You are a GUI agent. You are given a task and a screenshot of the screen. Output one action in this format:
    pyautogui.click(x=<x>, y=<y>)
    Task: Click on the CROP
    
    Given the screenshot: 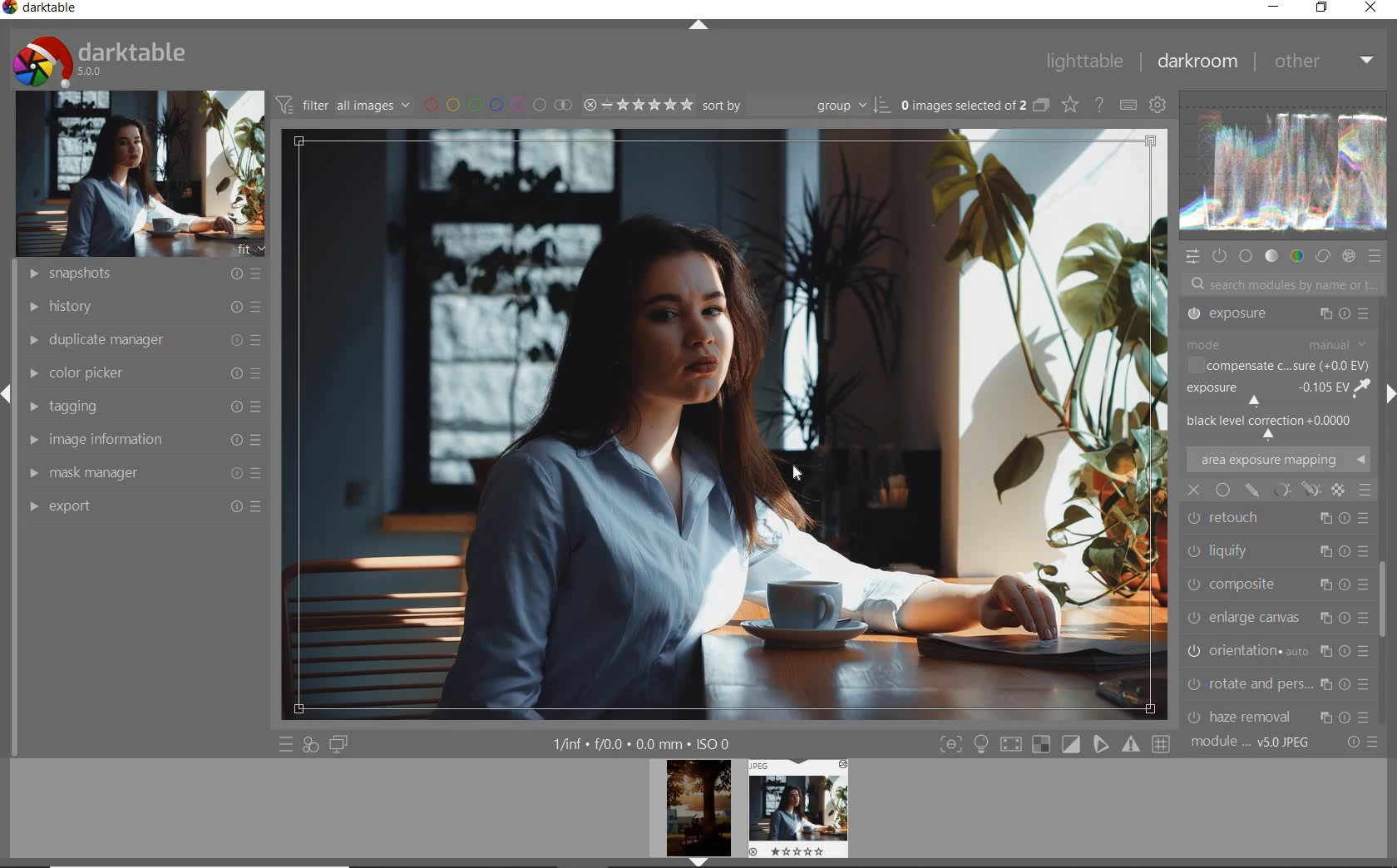 What is the action you would take?
    pyautogui.click(x=1277, y=317)
    